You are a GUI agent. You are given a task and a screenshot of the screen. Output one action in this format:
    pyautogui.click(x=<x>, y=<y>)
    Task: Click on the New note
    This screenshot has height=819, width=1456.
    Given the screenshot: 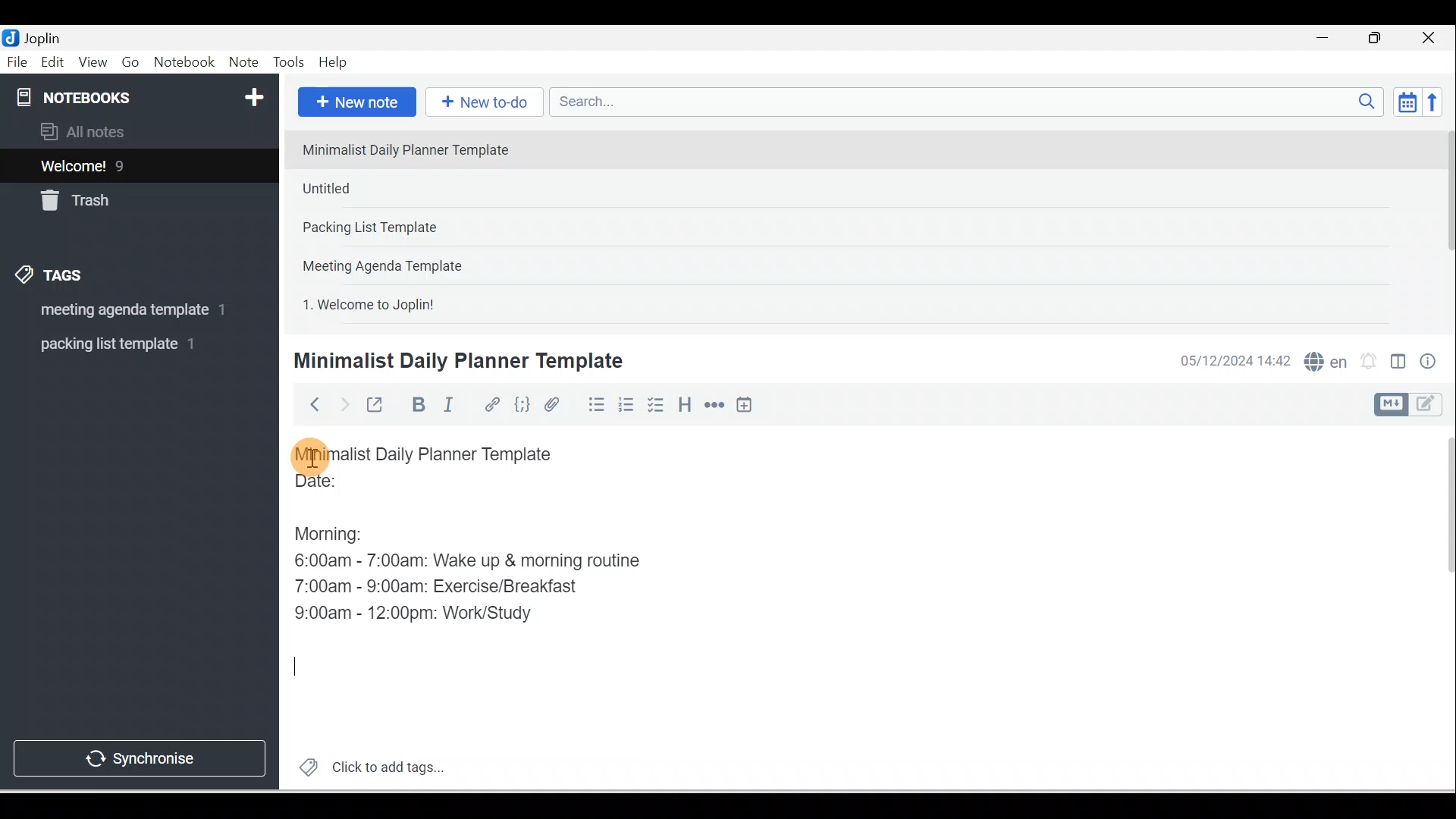 What is the action you would take?
    pyautogui.click(x=354, y=103)
    